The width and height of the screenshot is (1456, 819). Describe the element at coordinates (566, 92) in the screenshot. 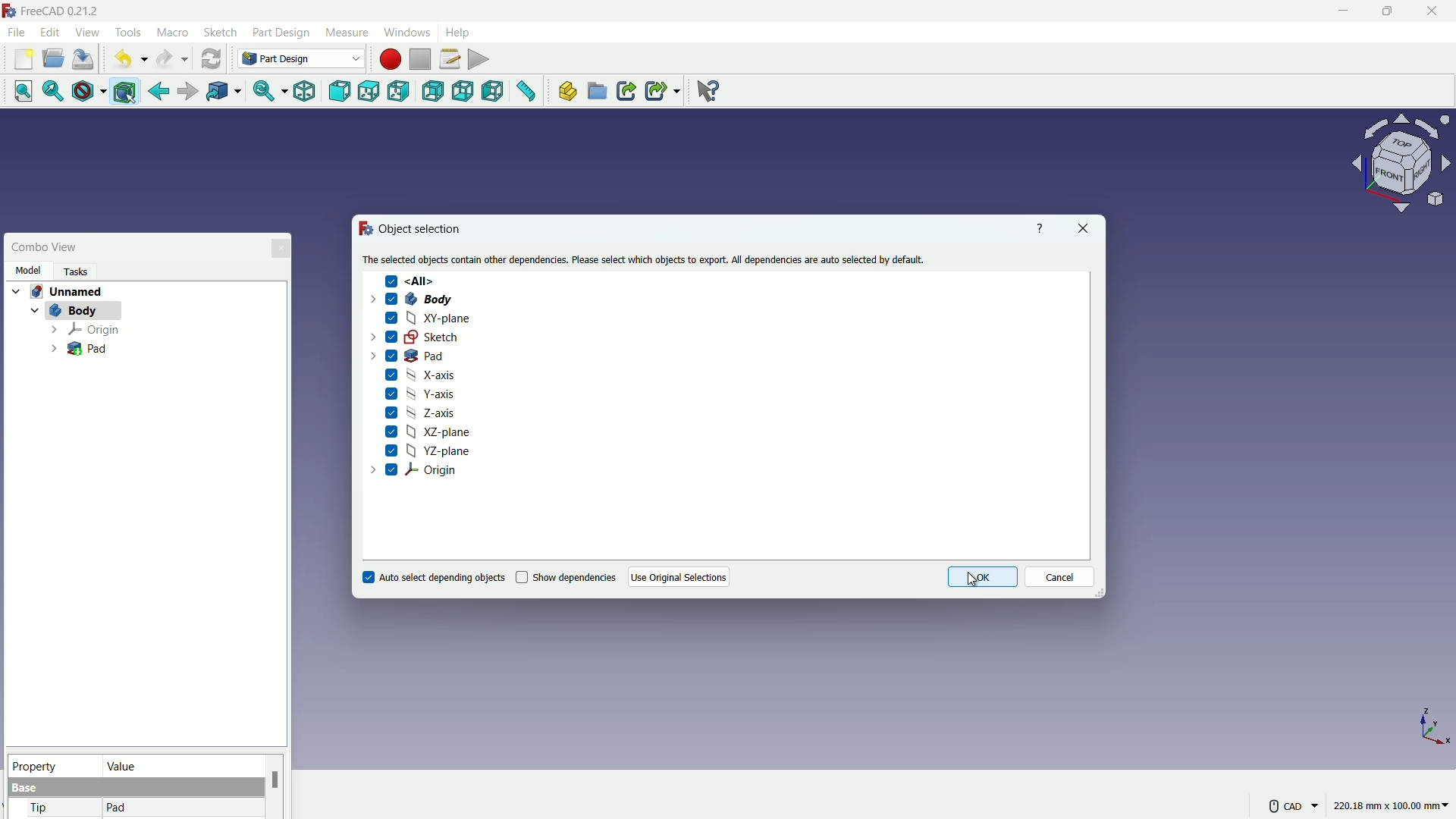

I see `create part` at that location.